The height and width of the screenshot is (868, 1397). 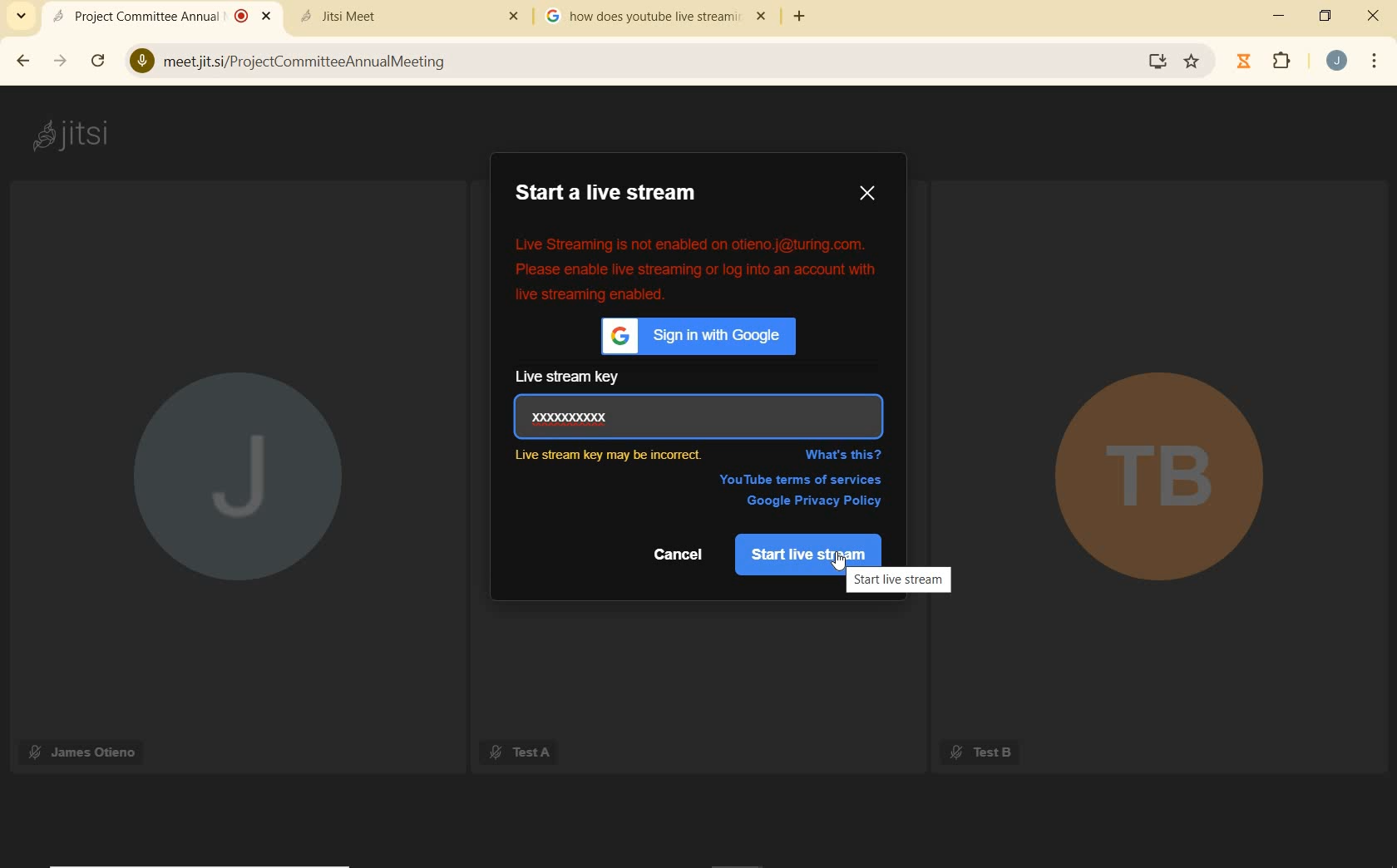 What do you see at coordinates (22, 17) in the screenshot?
I see `search tabs` at bounding box center [22, 17].